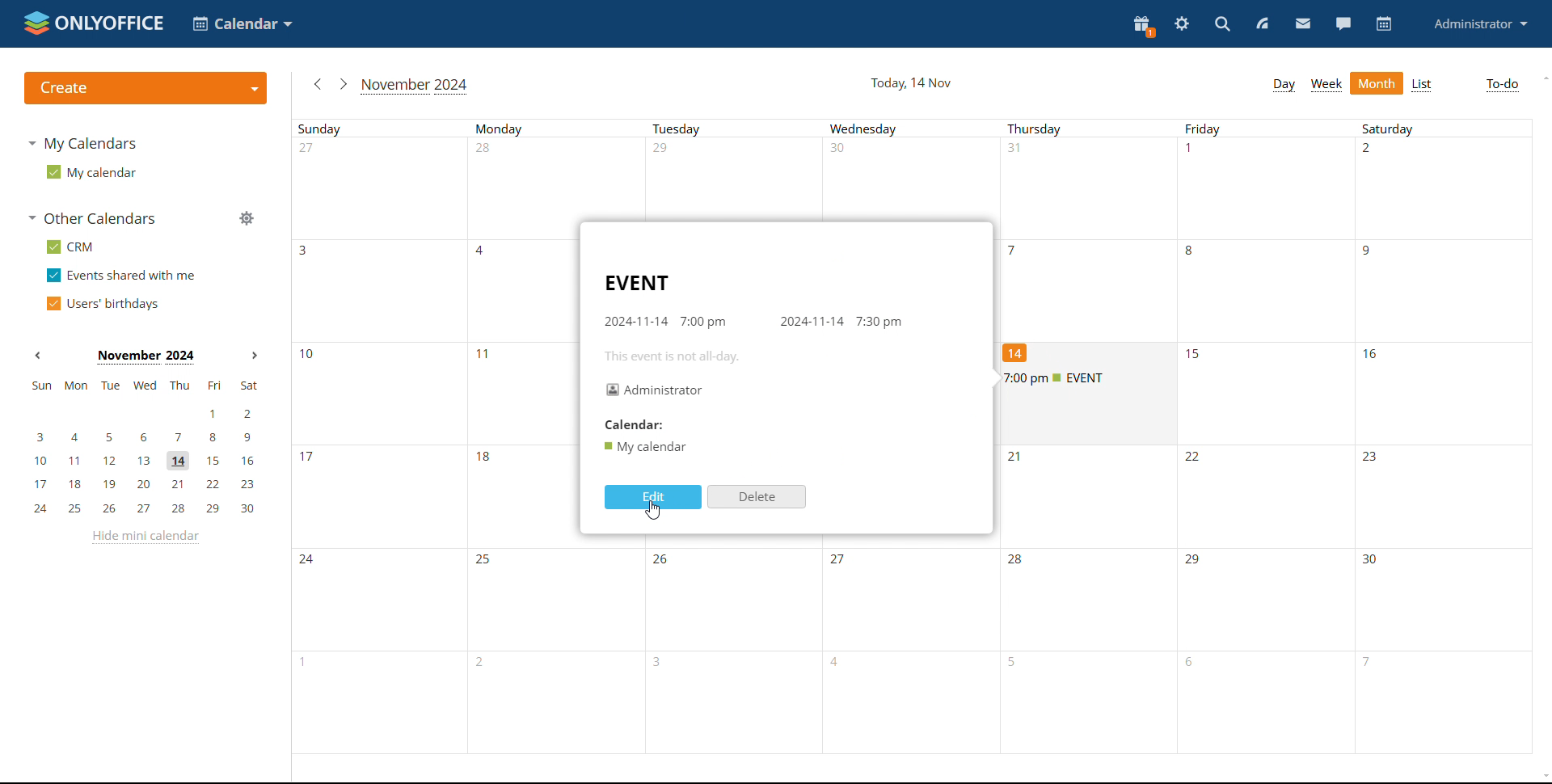 The width and height of the screenshot is (1552, 784). What do you see at coordinates (909, 81) in the screenshot?
I see `current date` at bounding box center [909, 81].